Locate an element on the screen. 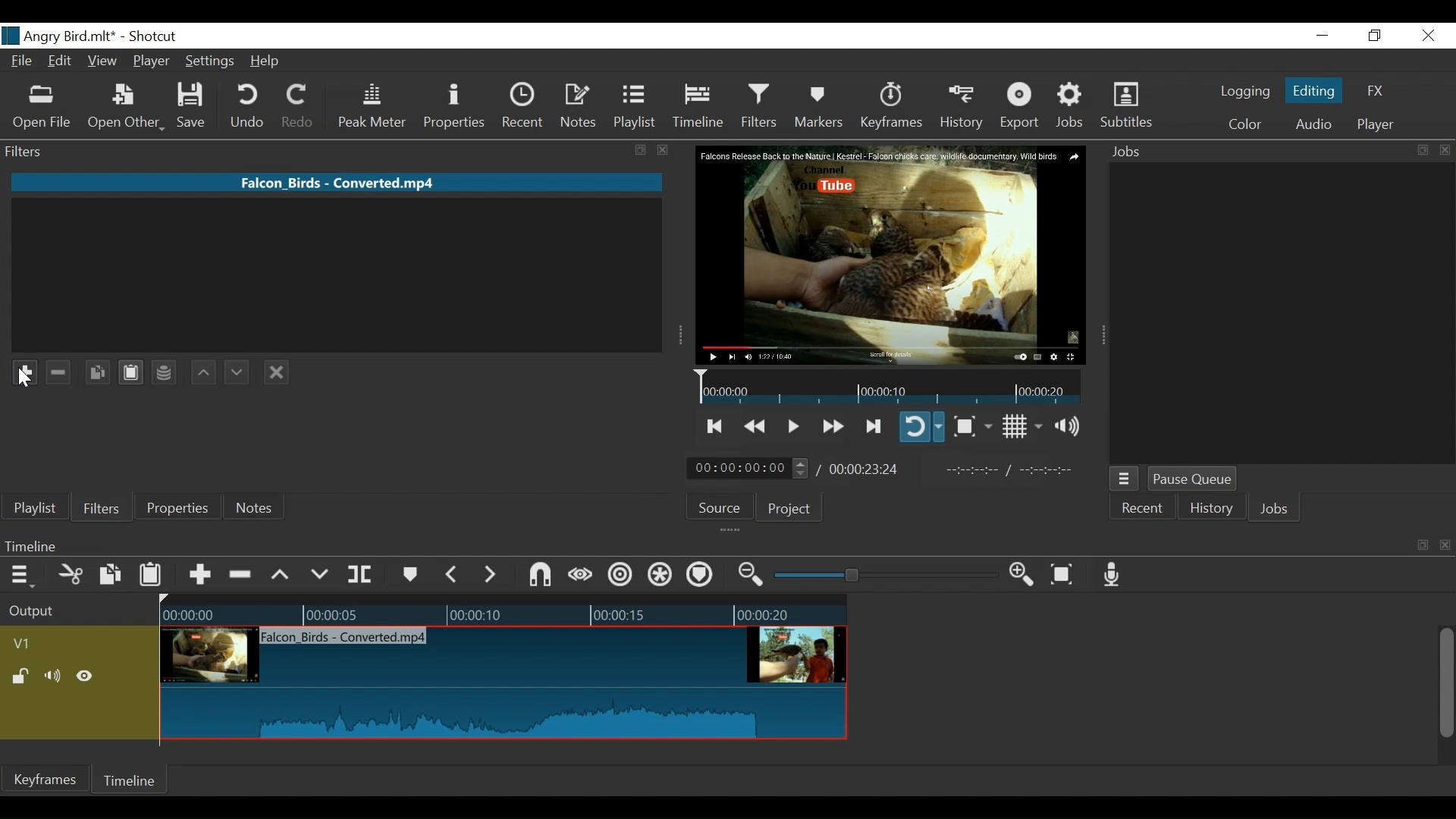  Cut is located at coordinates (71, 576).